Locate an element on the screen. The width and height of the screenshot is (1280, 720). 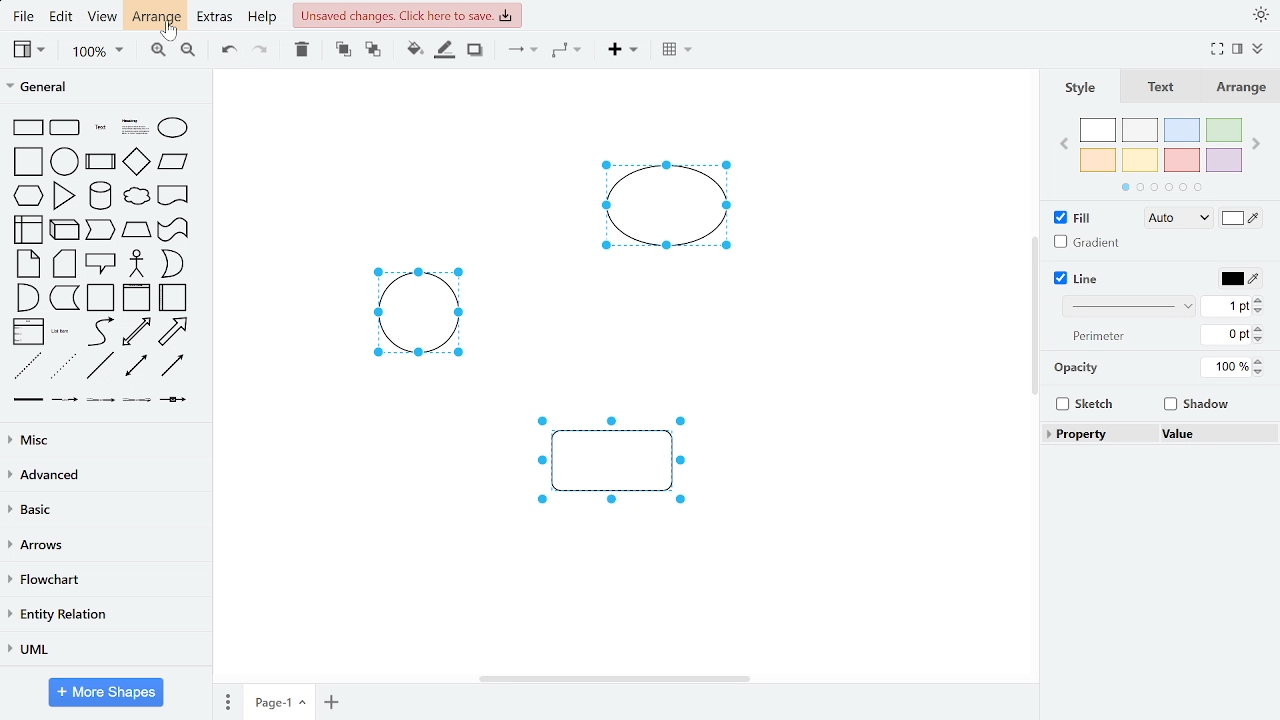
view is located at coordinates (30, 50).